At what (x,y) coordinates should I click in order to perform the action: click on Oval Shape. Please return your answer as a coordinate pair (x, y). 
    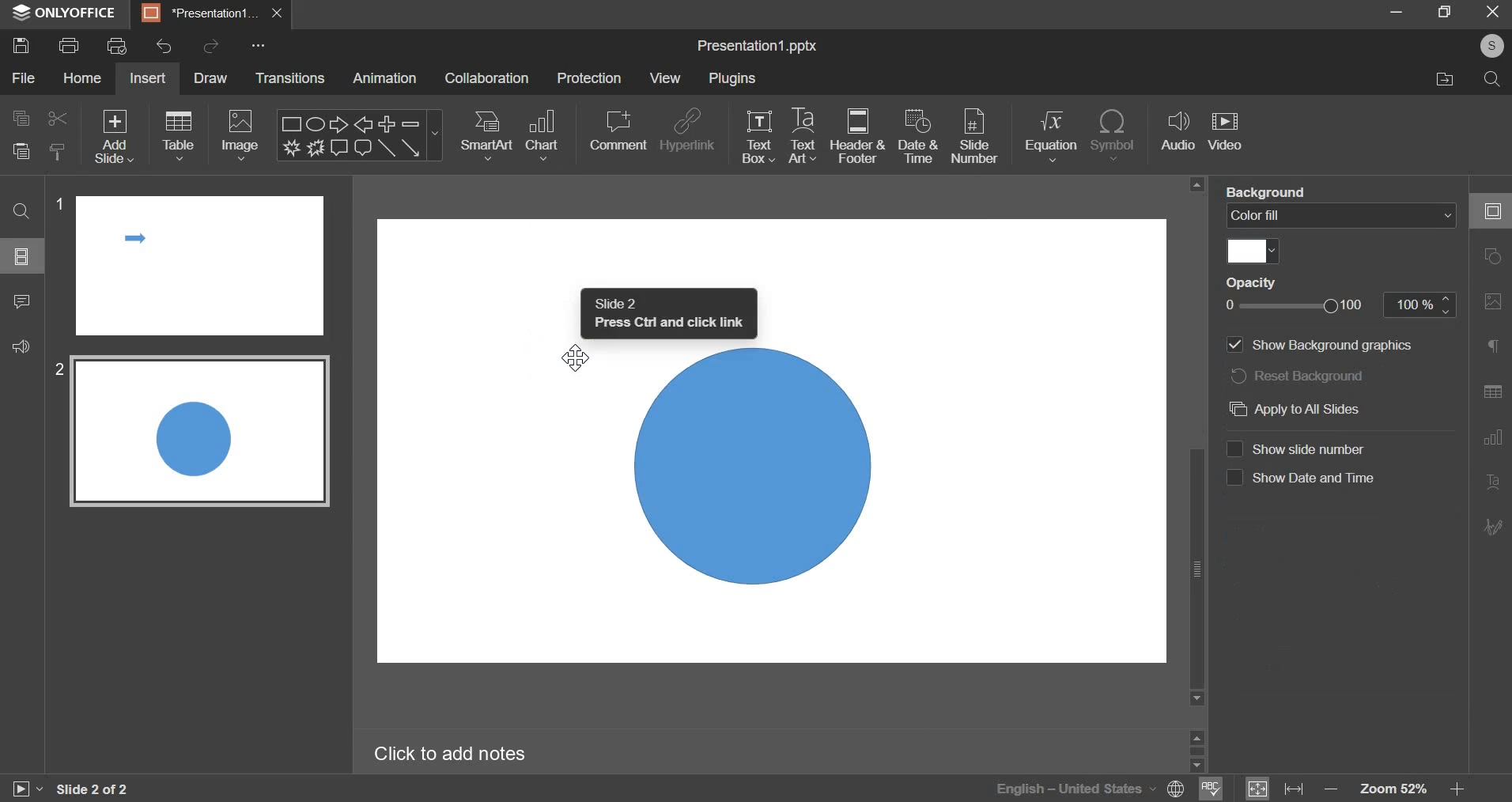
    Looking at the image, I should click on (764, 473).